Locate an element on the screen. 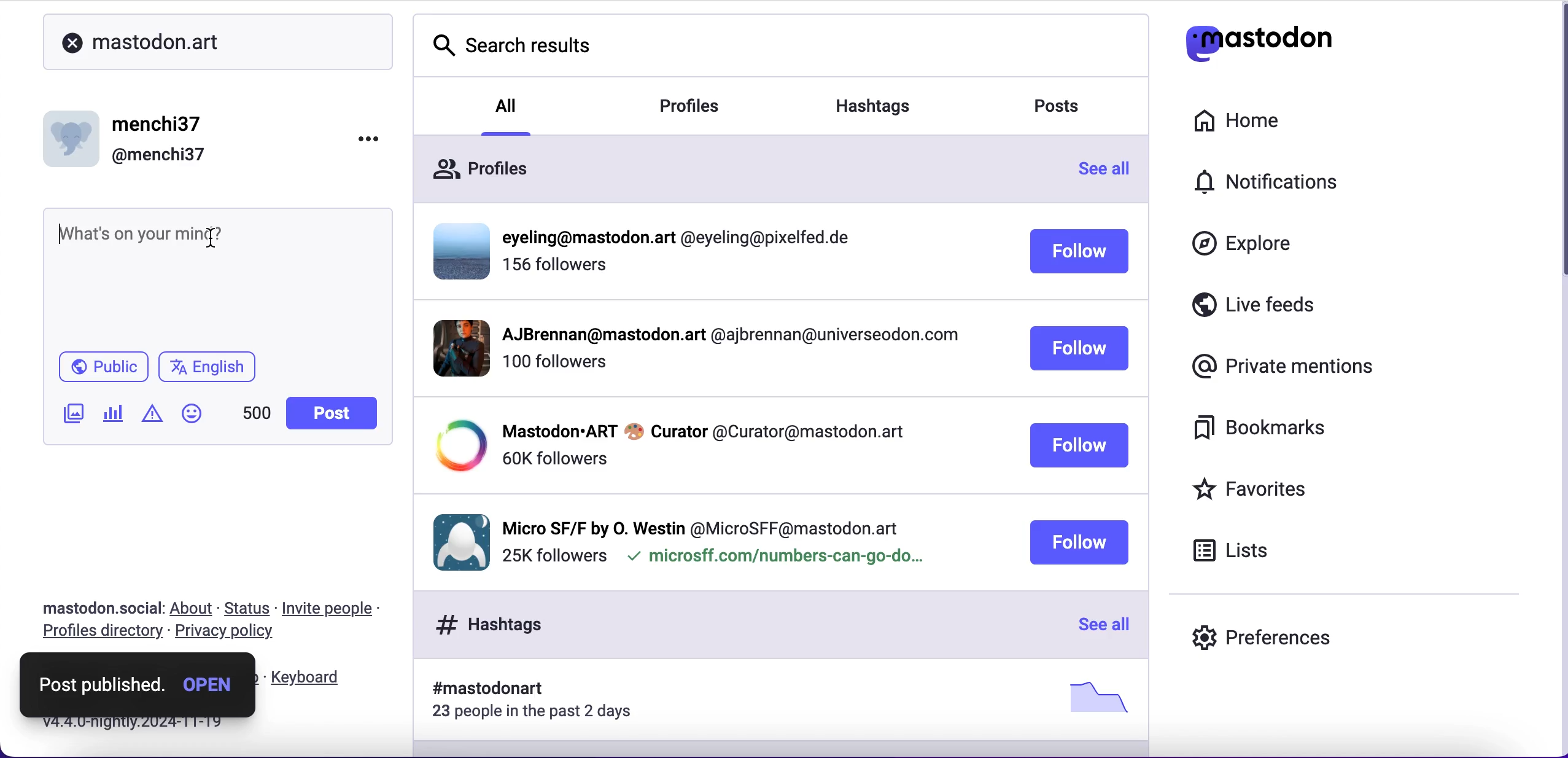 Image resolution: width=1568 pixels, height=758 pixels. follow is located at coordinates (1079, 253).